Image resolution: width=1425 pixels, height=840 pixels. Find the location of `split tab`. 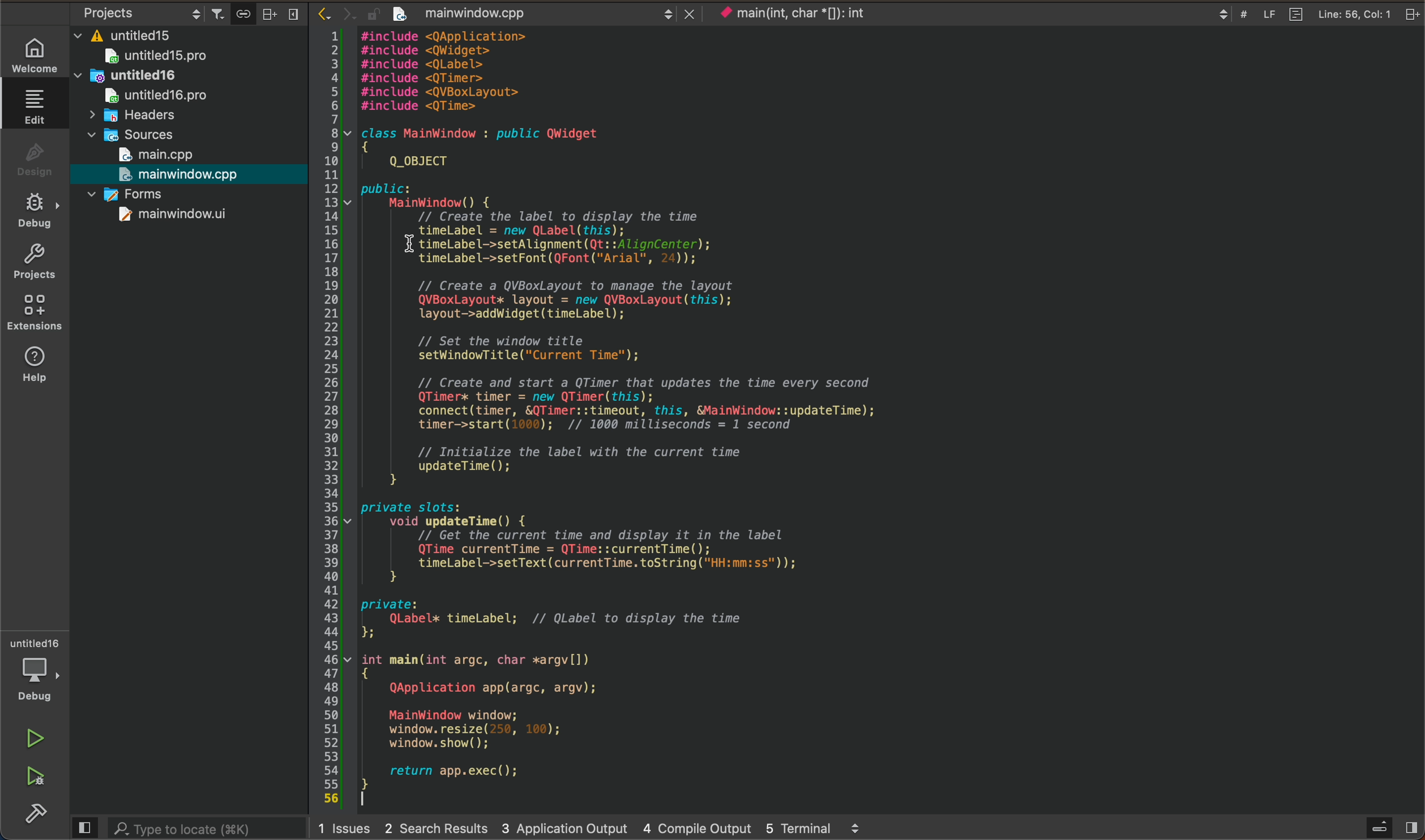

split tab is located at coordinates (1413, 14).